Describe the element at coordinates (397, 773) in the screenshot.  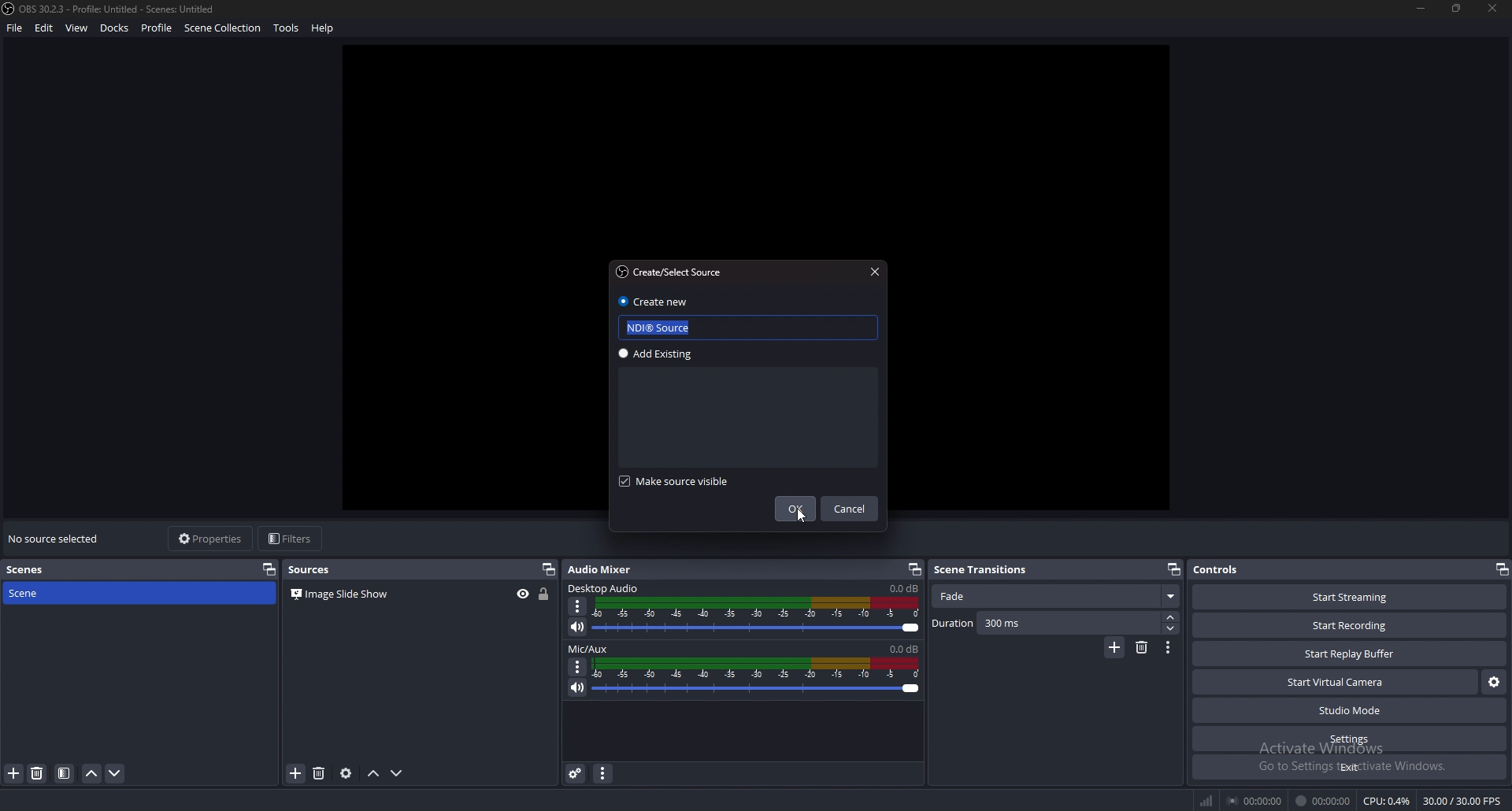
I see `move source down` at that location.